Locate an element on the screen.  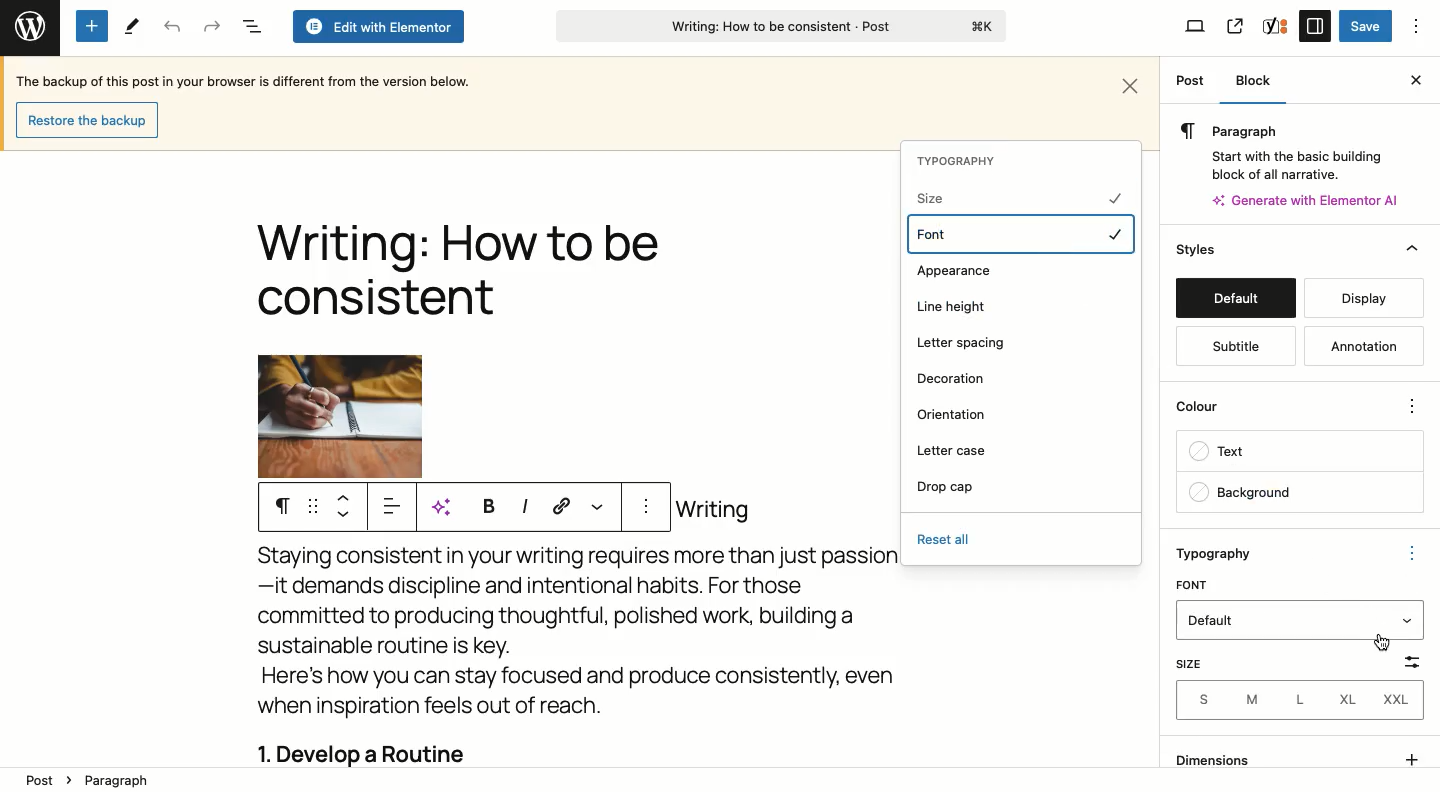
View is located at coordinates (1196, 28).